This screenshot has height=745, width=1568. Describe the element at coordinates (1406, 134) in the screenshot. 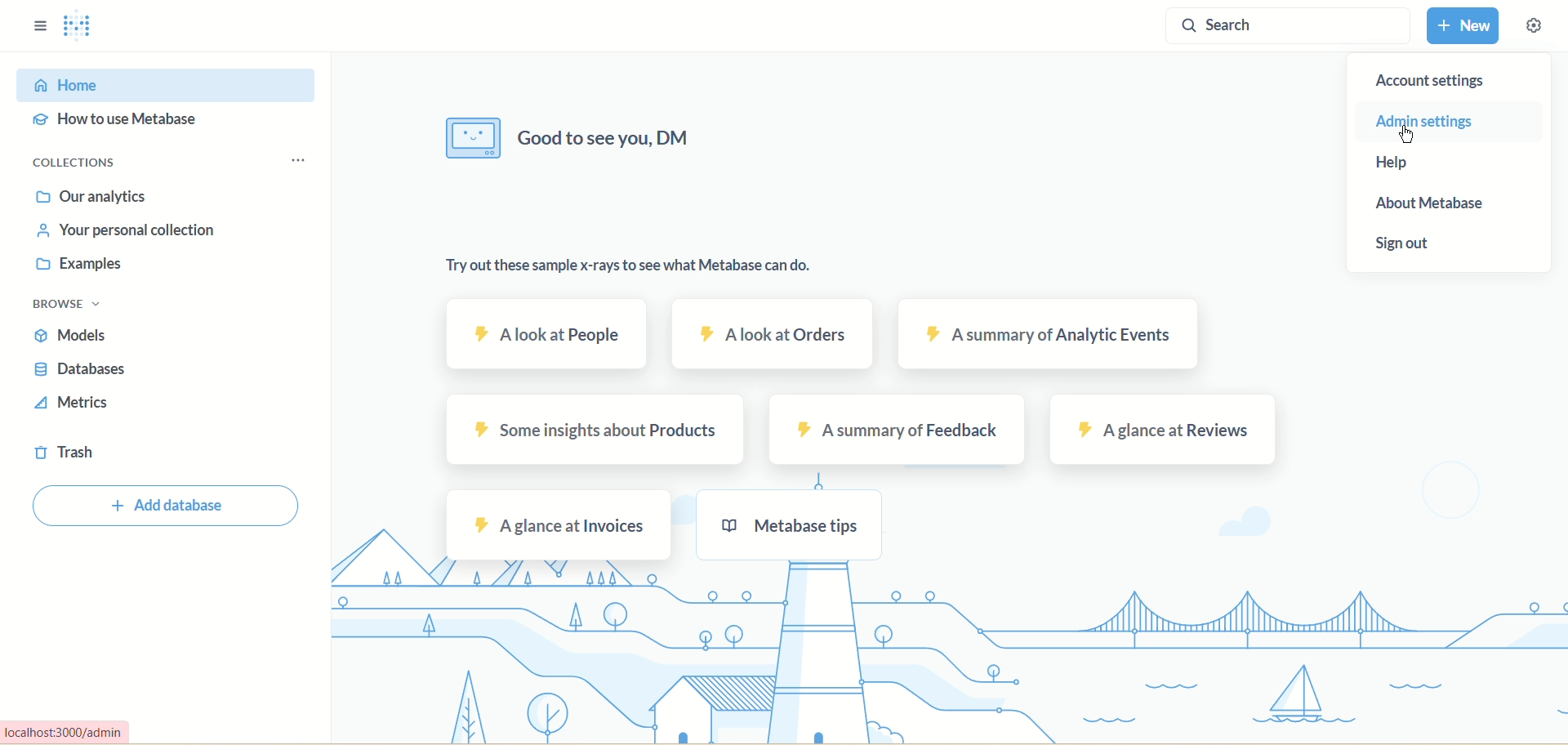

I see `cursor` at that location.